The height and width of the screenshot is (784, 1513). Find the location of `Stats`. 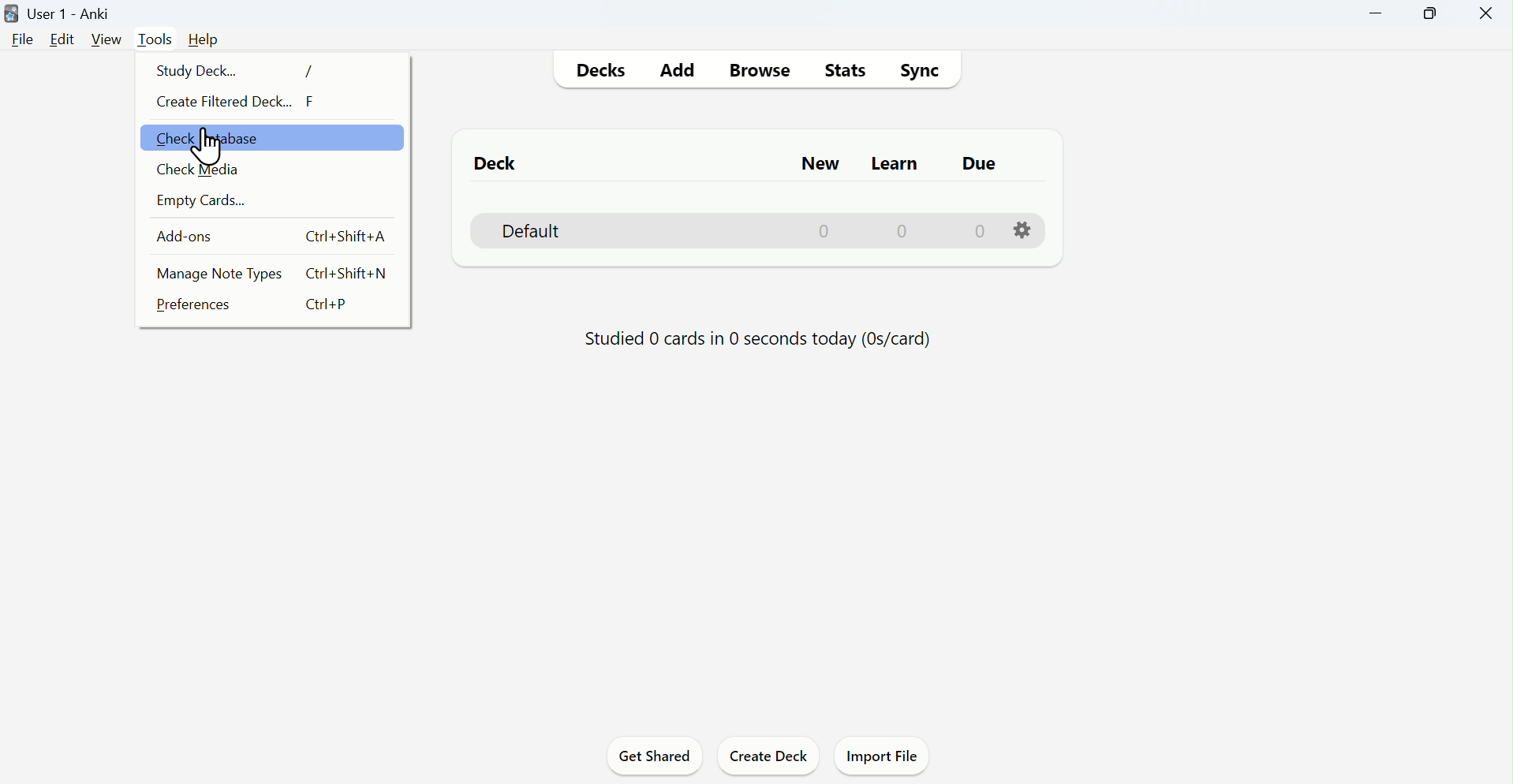

Stats is located at coordinates (847, 69).